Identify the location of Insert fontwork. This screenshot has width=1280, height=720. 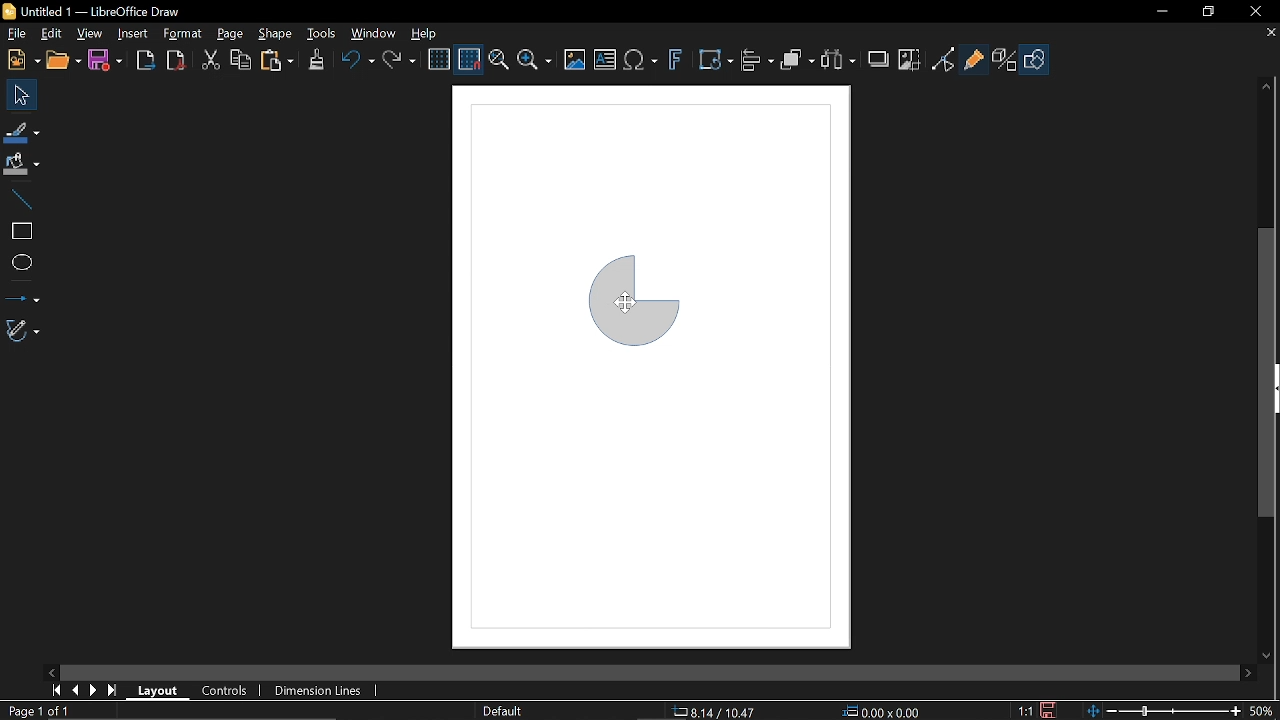
(678, 60).